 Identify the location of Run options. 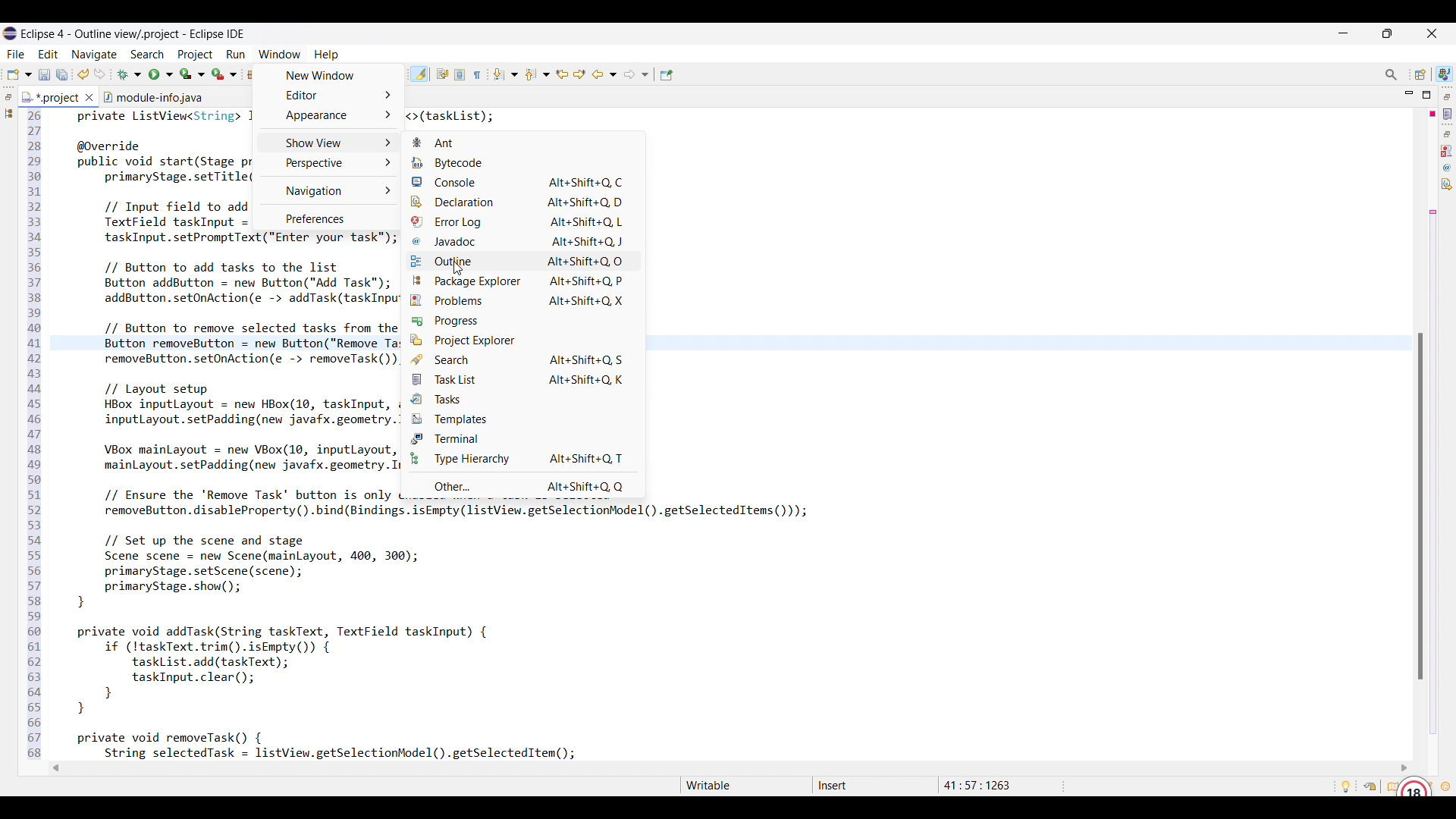
(162, 74).